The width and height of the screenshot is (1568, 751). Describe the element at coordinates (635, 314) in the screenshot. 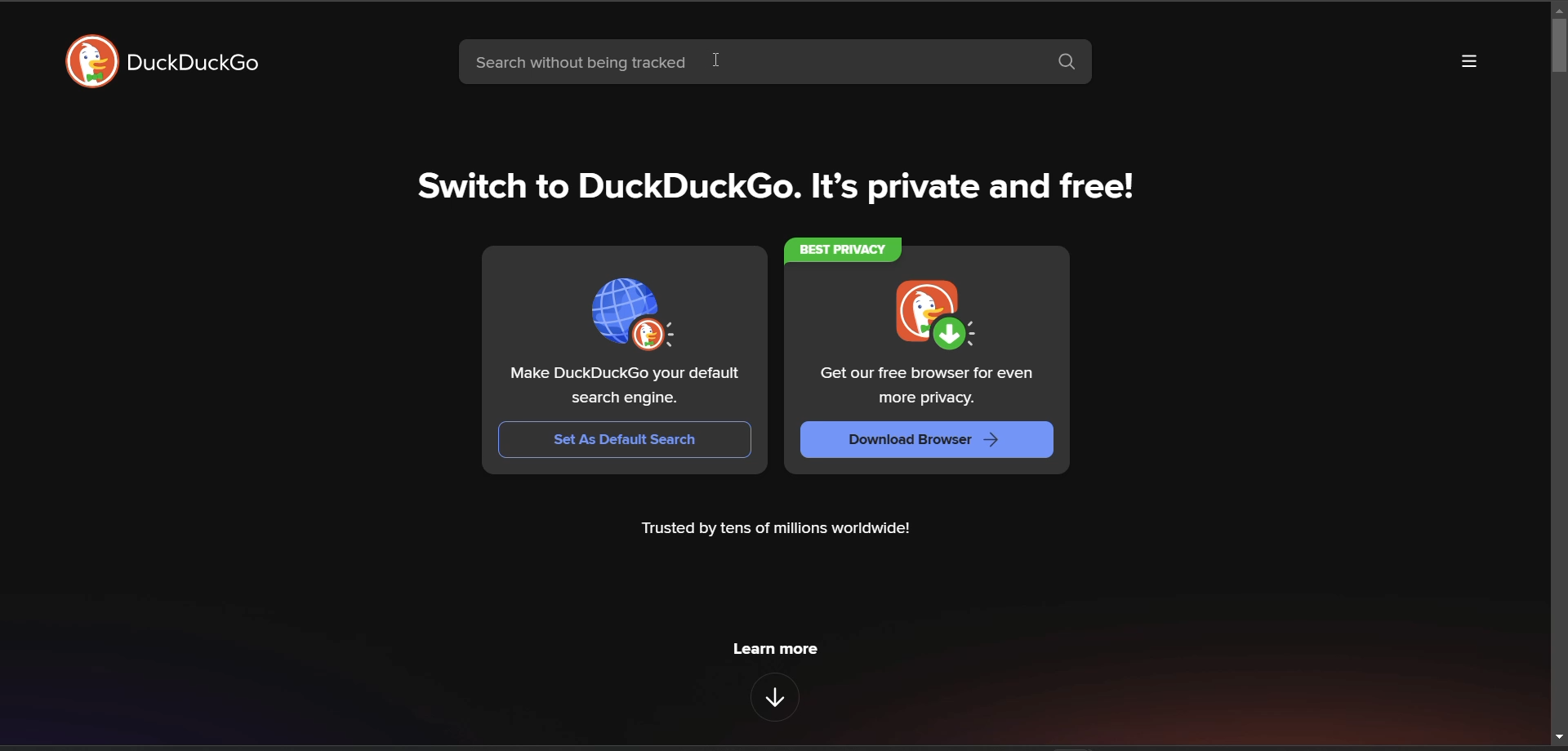

I see `Indicates DuckDuckGo is default search engine` at that location.